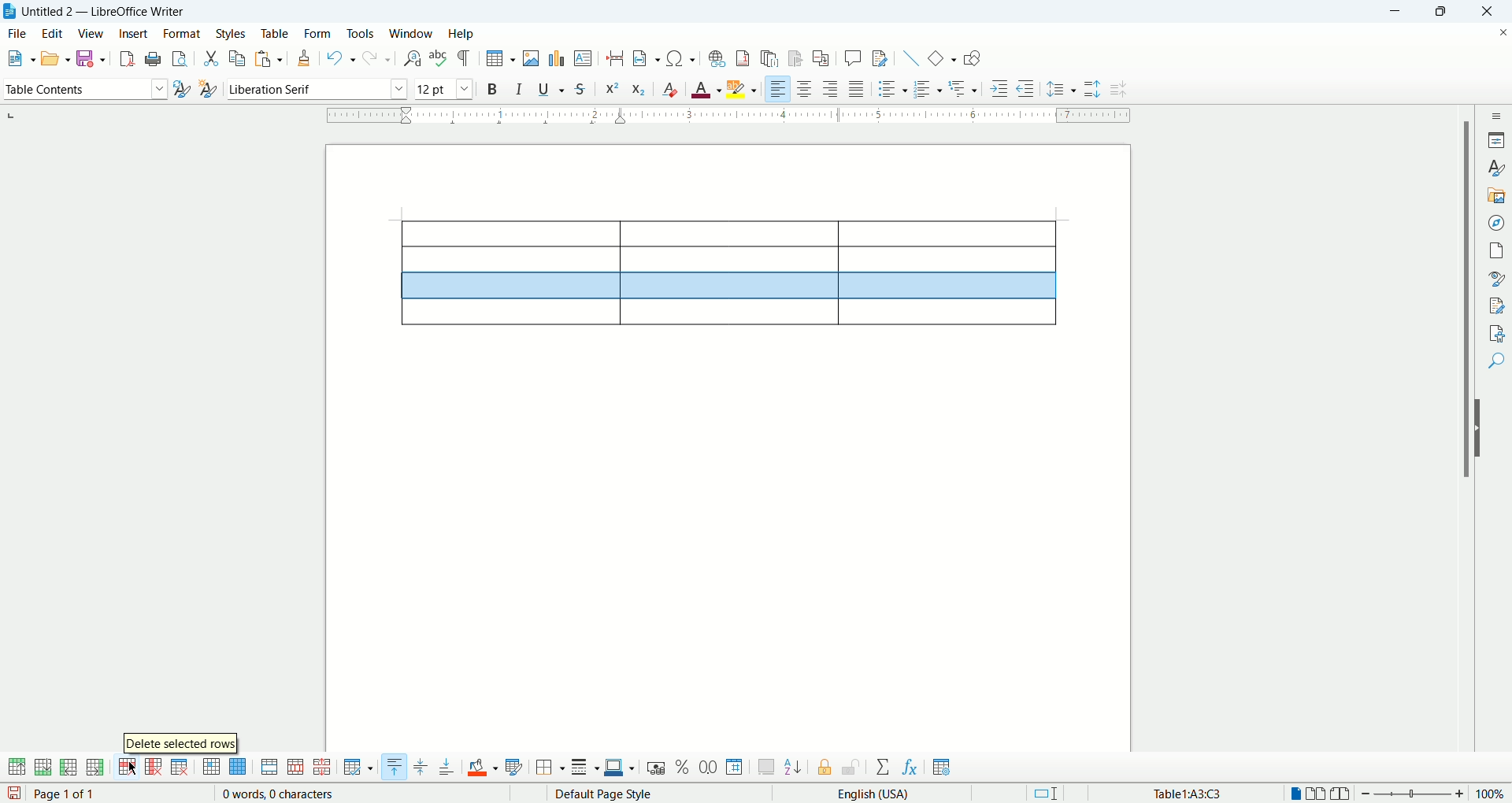  Describe the element at coordinates (460, 35) in the screenshot. I see `help` at that location.